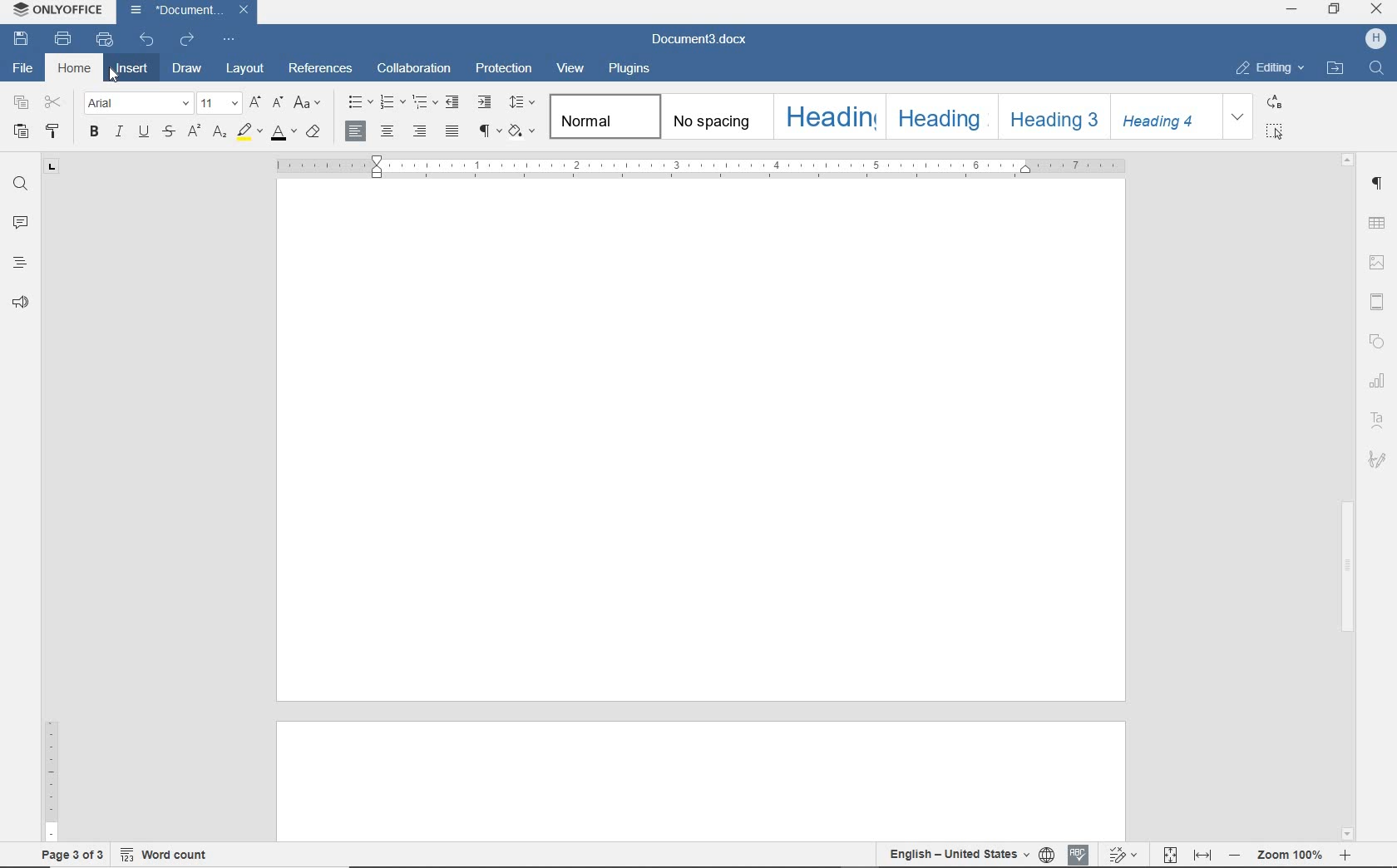 The width and height of the screenshot is (1397, 868). I want to click on RULER, so click(700, 167).